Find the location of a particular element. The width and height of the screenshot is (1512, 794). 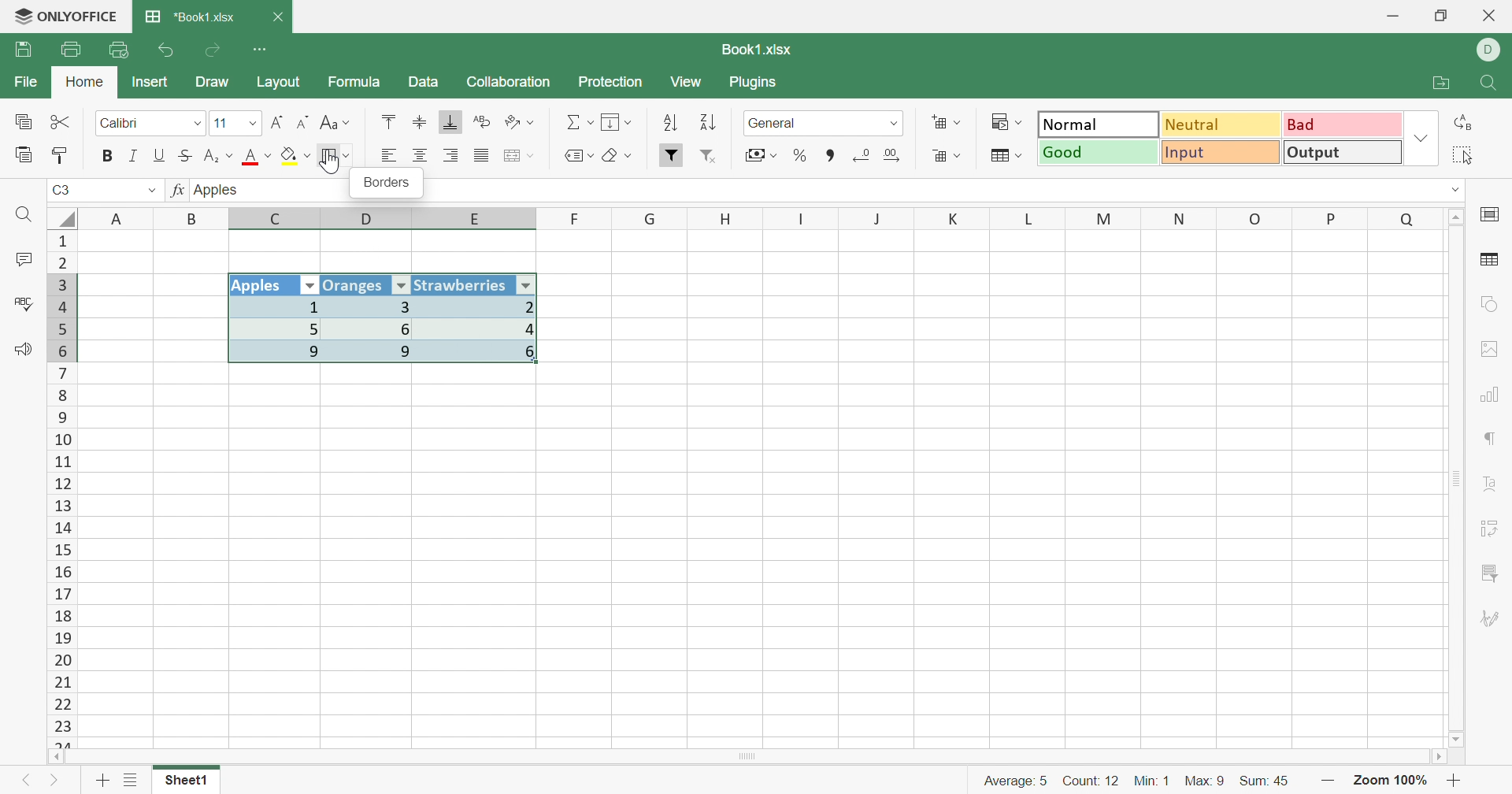

Neutral is located at coordinates (1222, 124).